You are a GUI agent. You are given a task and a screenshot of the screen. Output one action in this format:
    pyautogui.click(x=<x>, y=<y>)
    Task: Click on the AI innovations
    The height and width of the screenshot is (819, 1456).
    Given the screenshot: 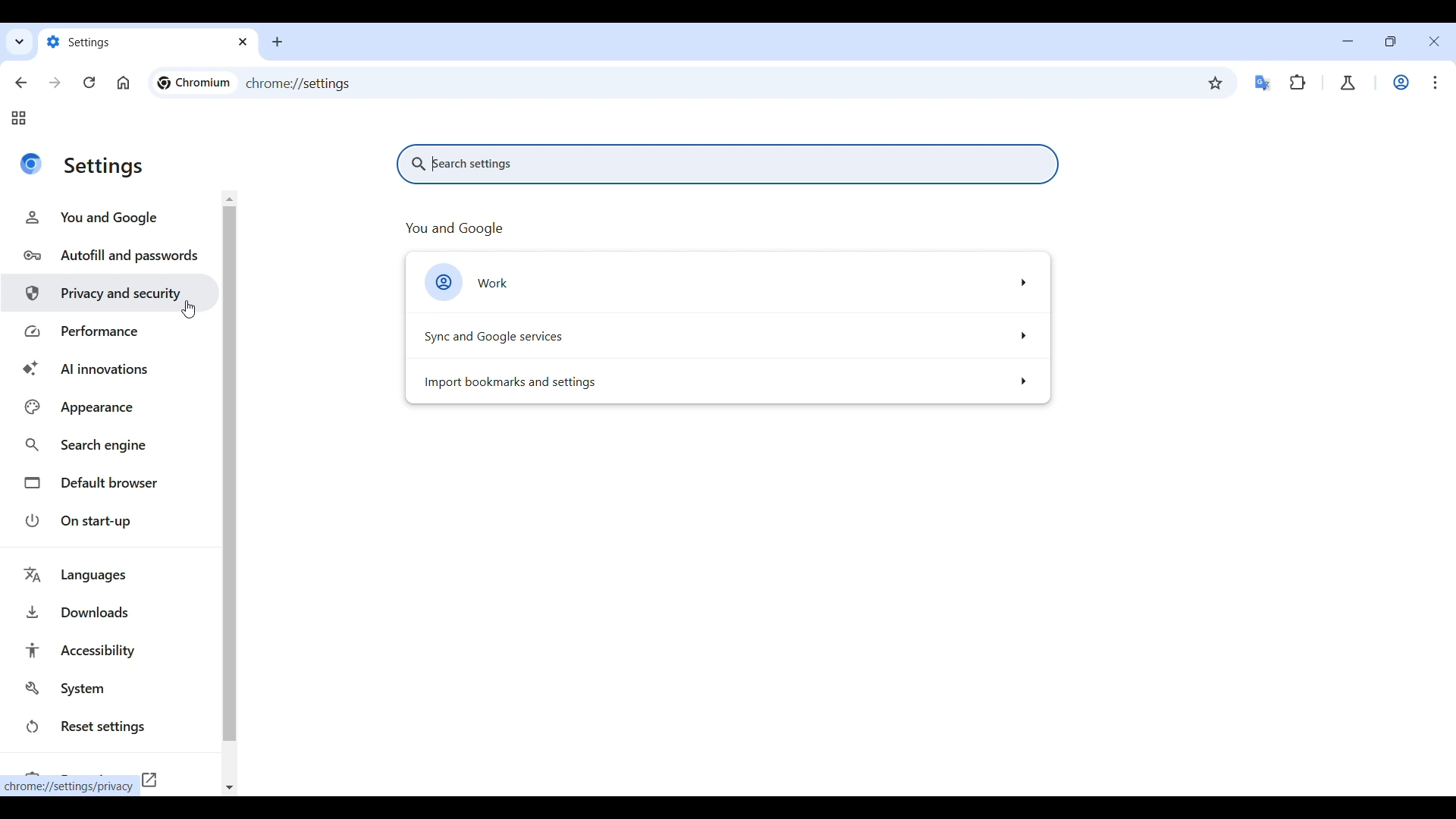 What is the action you would take?
    pyautogui.click(x=111, y=369)
    